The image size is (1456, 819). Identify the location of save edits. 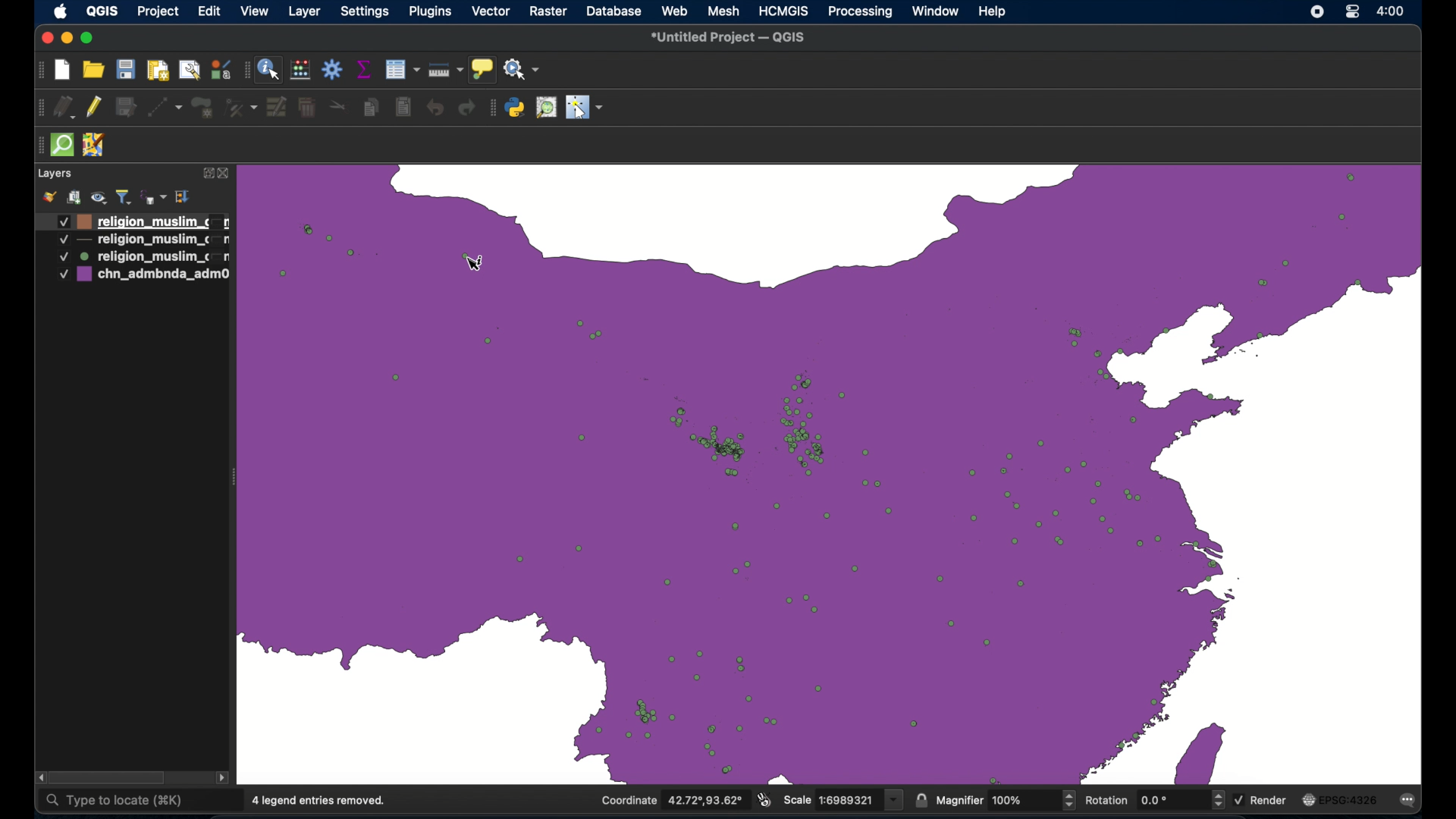
(127, 107).